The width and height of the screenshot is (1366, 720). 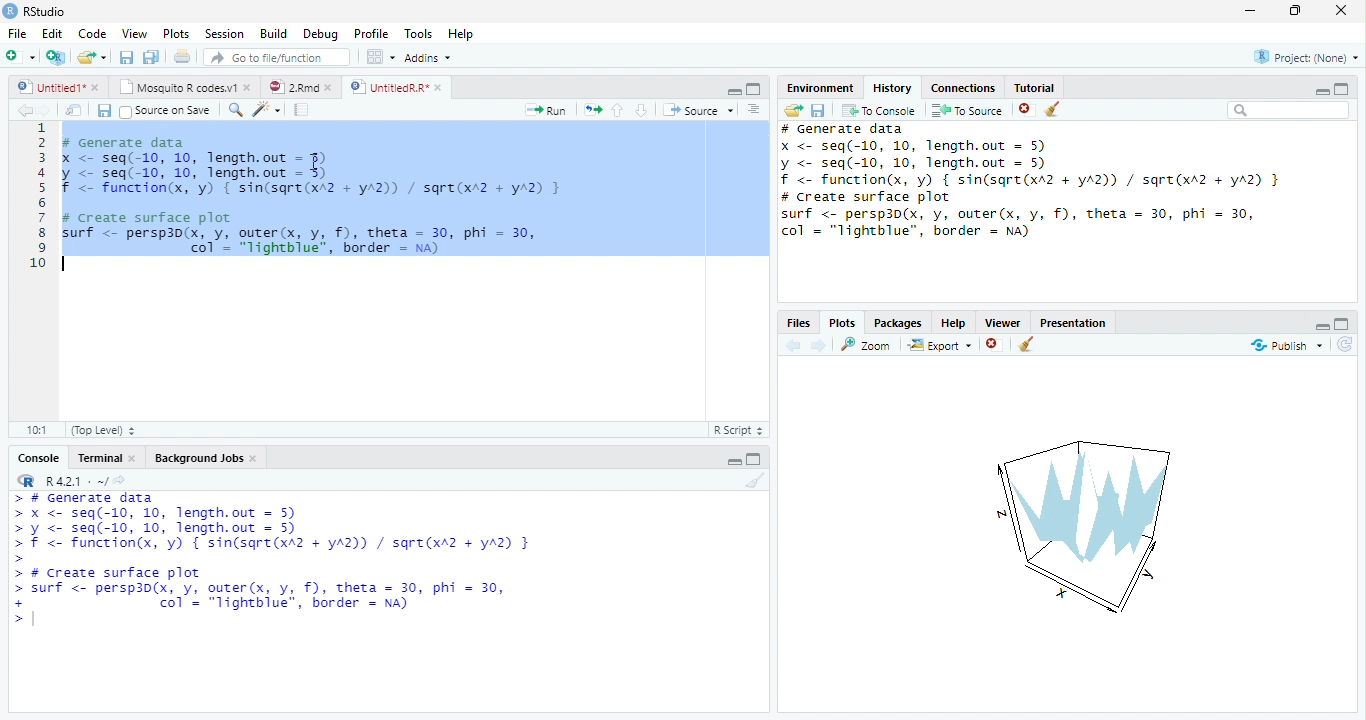 I want to click on R, so click(x=23, y=481).